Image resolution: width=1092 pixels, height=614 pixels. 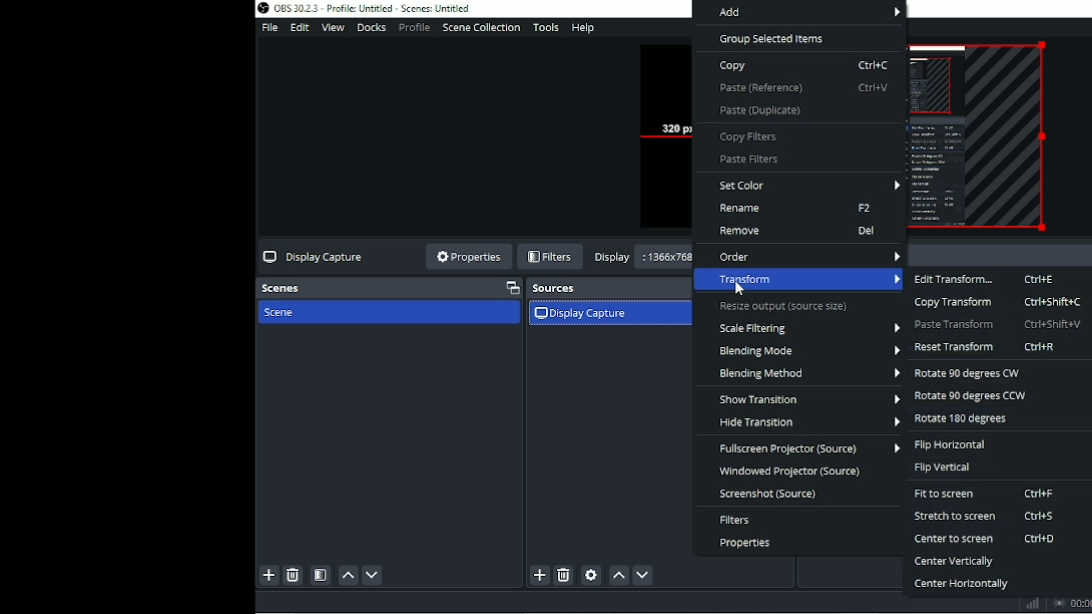 I want to click on cursor, so click(x=737, y=292).